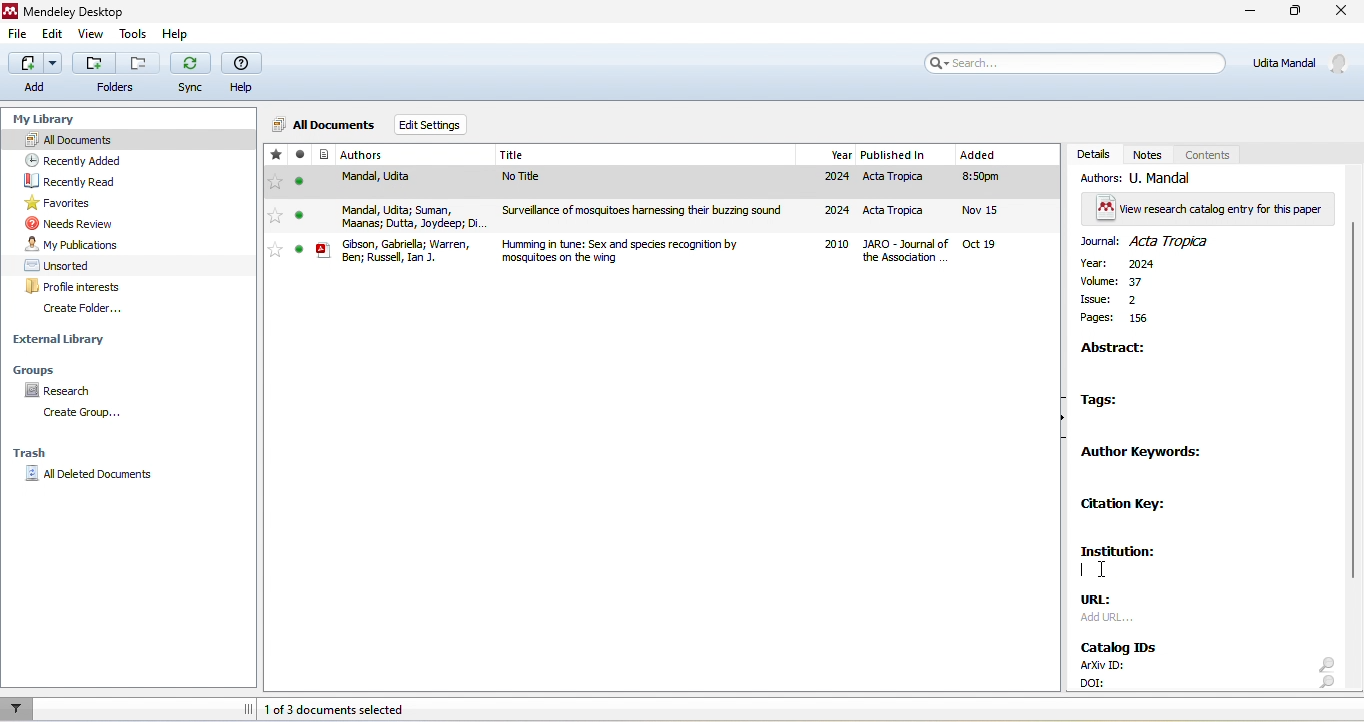  What do you see at coordinates (323, 127) in the screenshot?
I see `all documents` at bounding box center [323, 127].